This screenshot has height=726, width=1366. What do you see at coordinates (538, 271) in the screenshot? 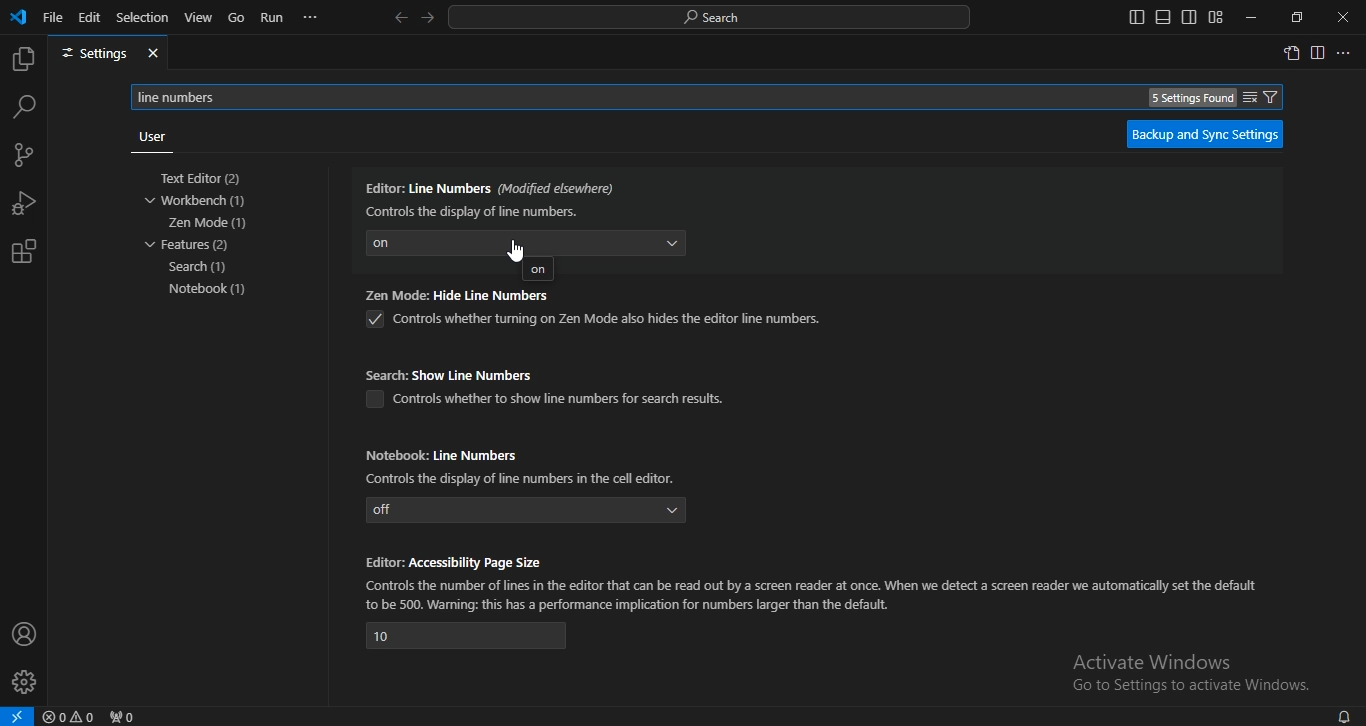
I see `on` at bounding box center [538, 271].